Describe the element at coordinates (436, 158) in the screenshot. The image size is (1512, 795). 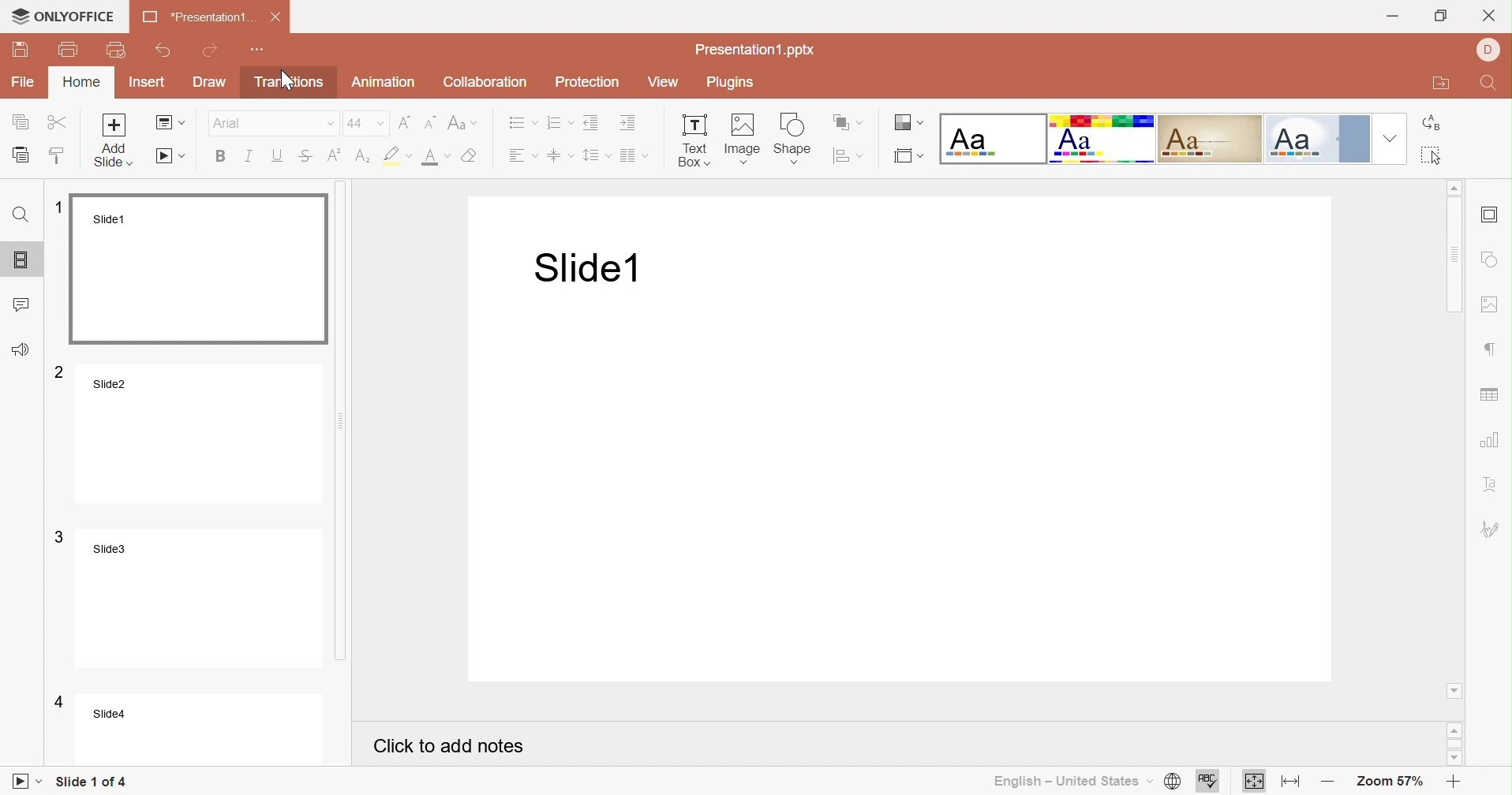
I see `Font color` at that location.